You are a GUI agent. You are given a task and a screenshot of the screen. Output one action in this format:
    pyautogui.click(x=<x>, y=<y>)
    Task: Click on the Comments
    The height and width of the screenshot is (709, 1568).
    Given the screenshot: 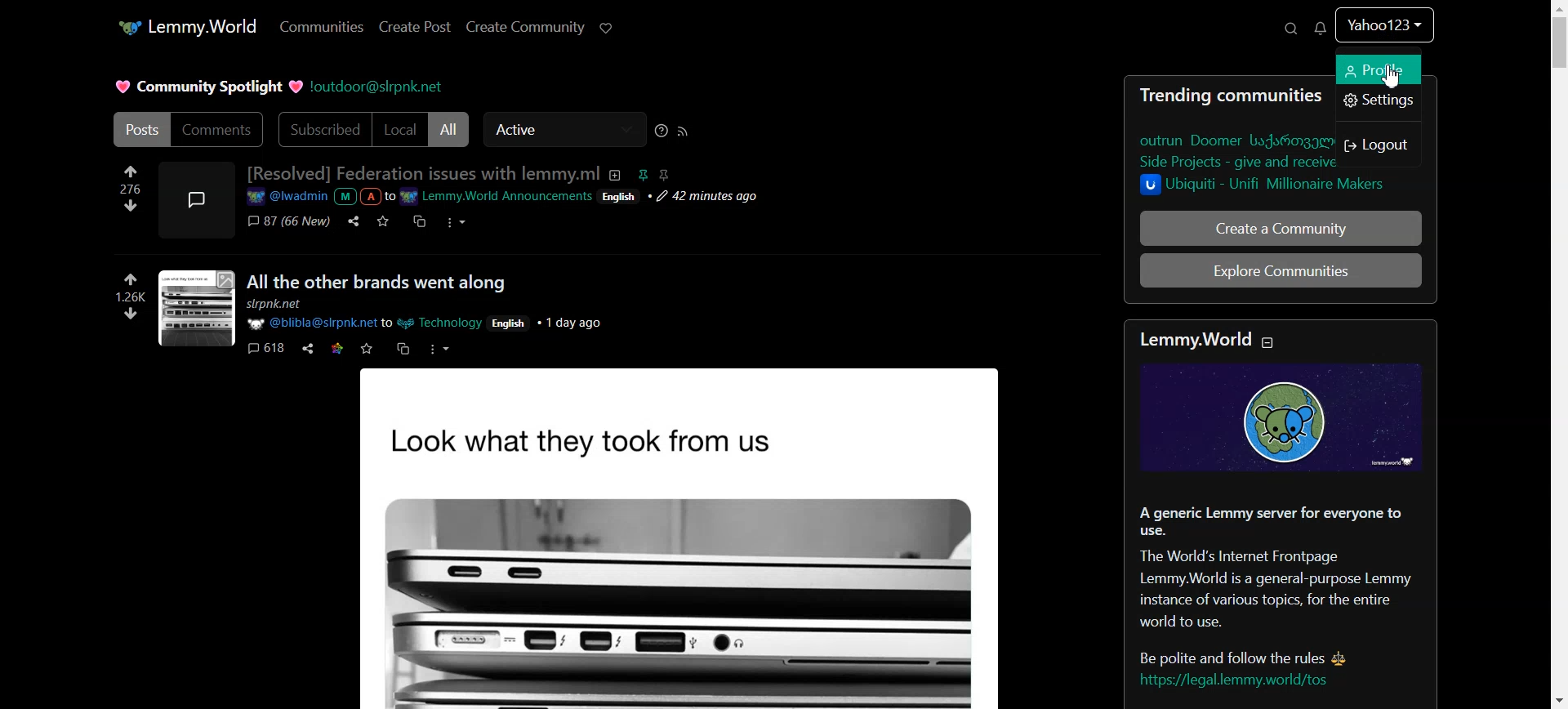 What is the action you would take?
    pyautogui.click(x=219, y=128)
    